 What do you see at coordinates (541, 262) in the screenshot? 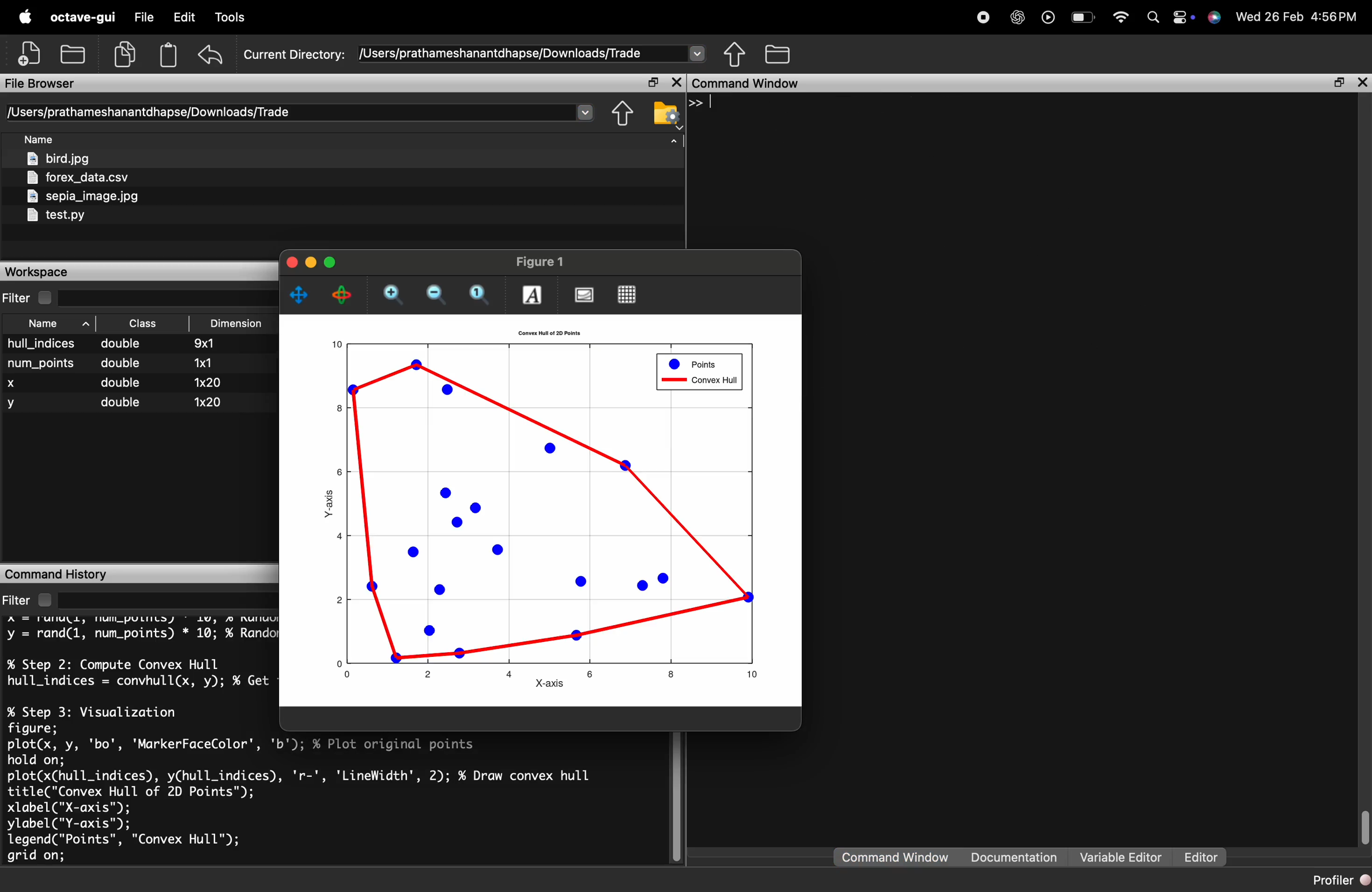
I see `figure 1` at bounding box center [541, 262].